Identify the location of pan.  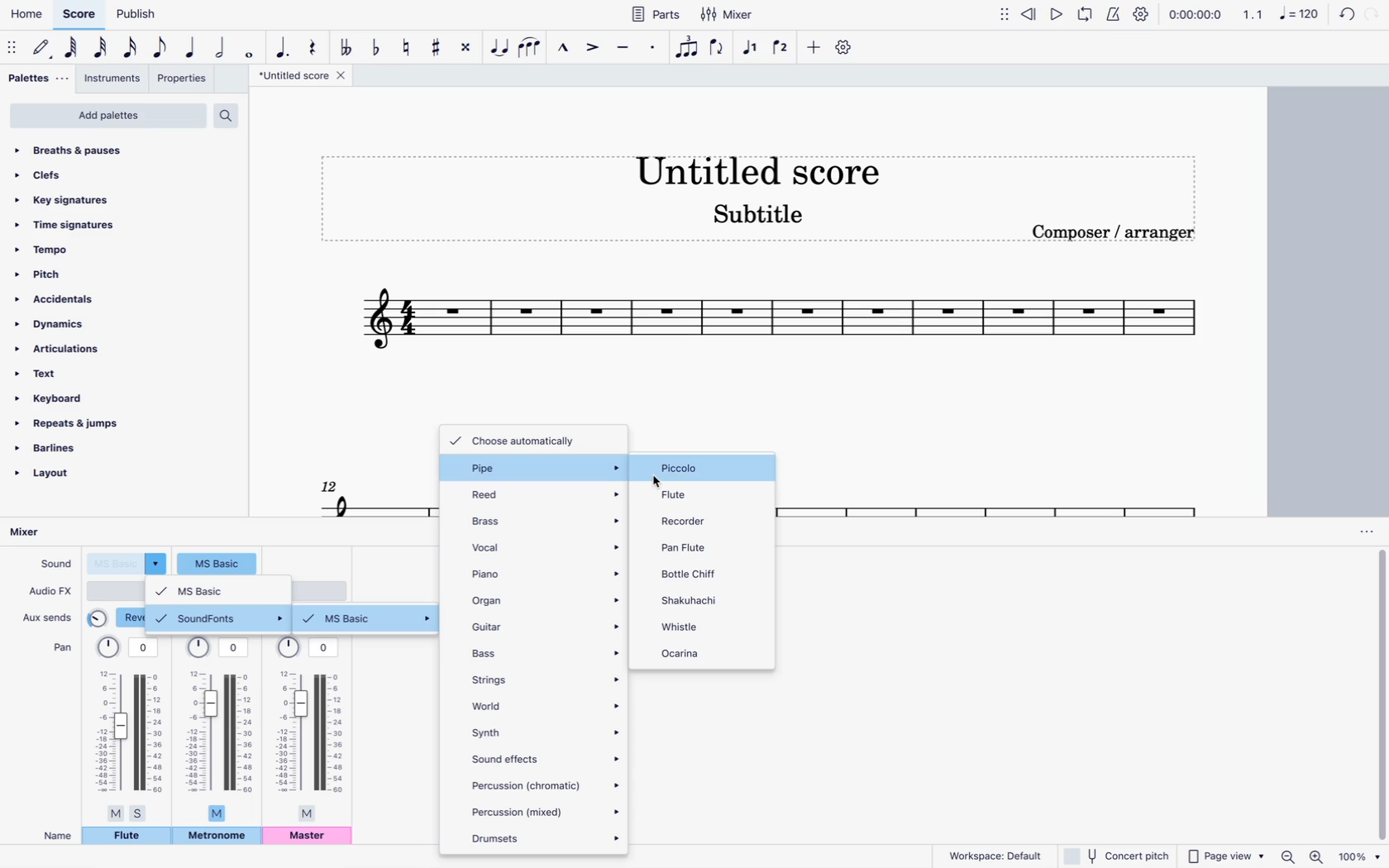
(219, 727).